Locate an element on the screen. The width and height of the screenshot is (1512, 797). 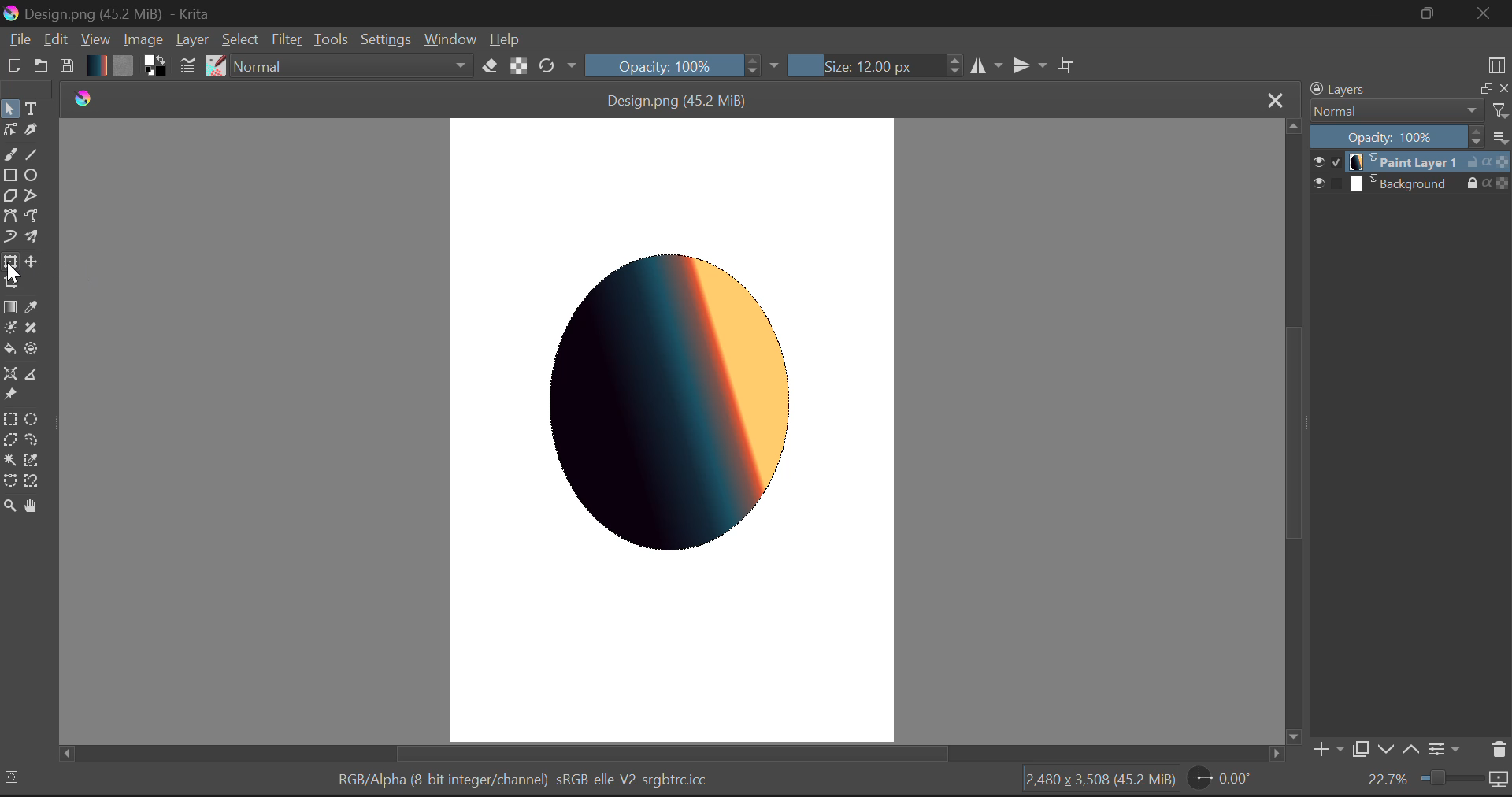
Close is located at coordinates (1273, 99).